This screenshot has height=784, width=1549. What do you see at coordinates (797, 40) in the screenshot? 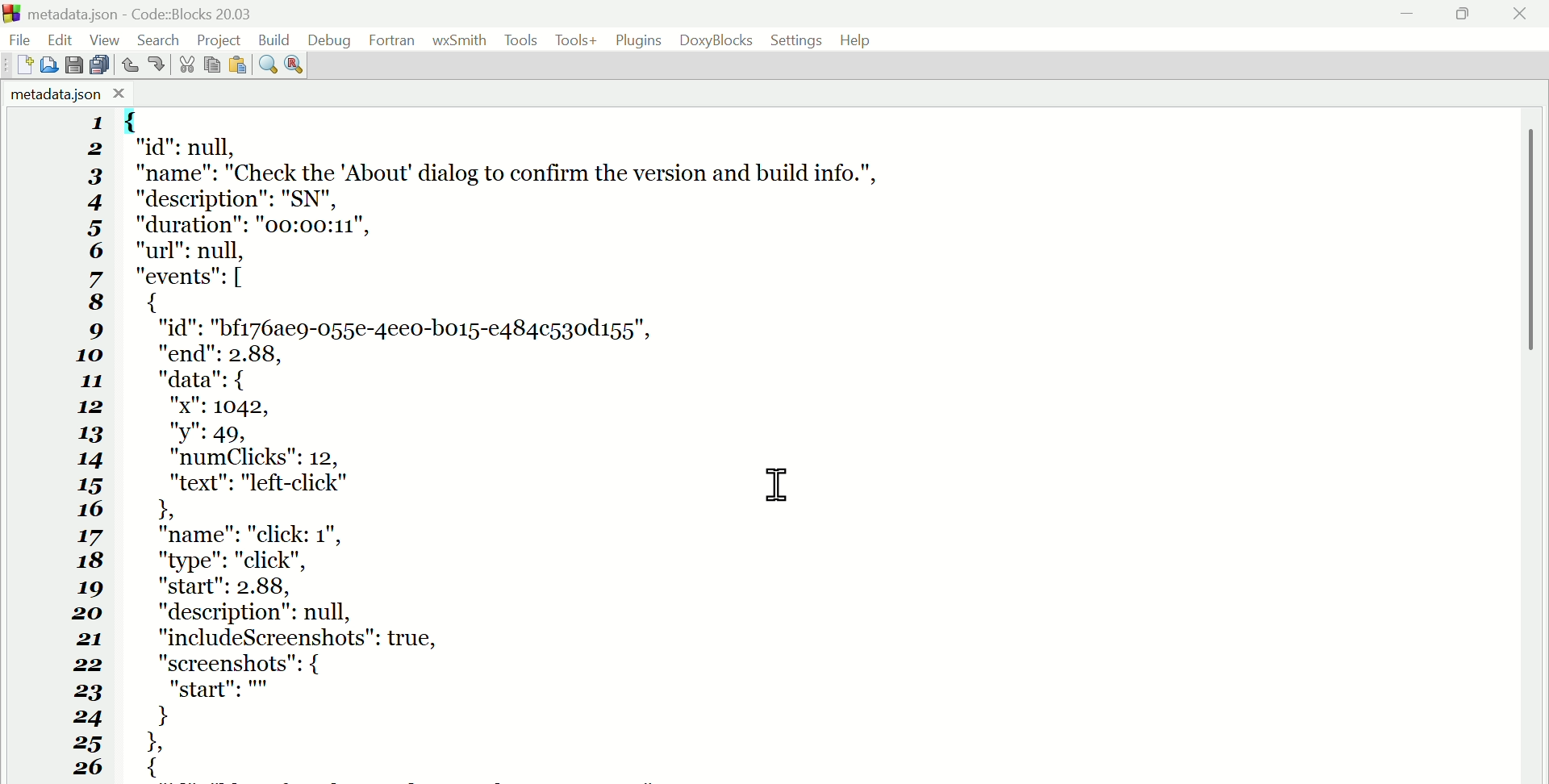
I see `Settings` at bounding box center [797, 40].